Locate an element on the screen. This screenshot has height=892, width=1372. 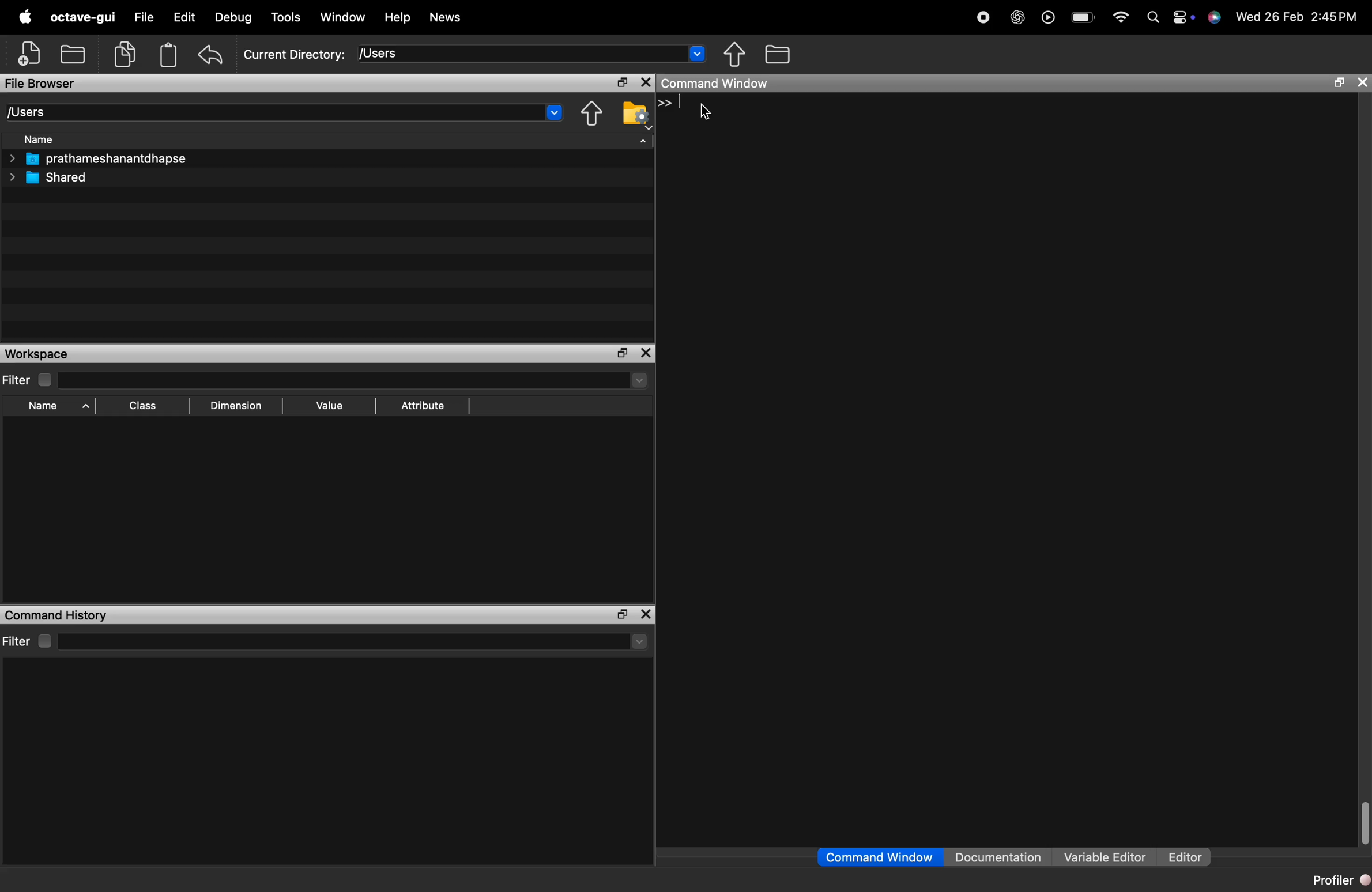
AI is located at coordinates (1016, 14).